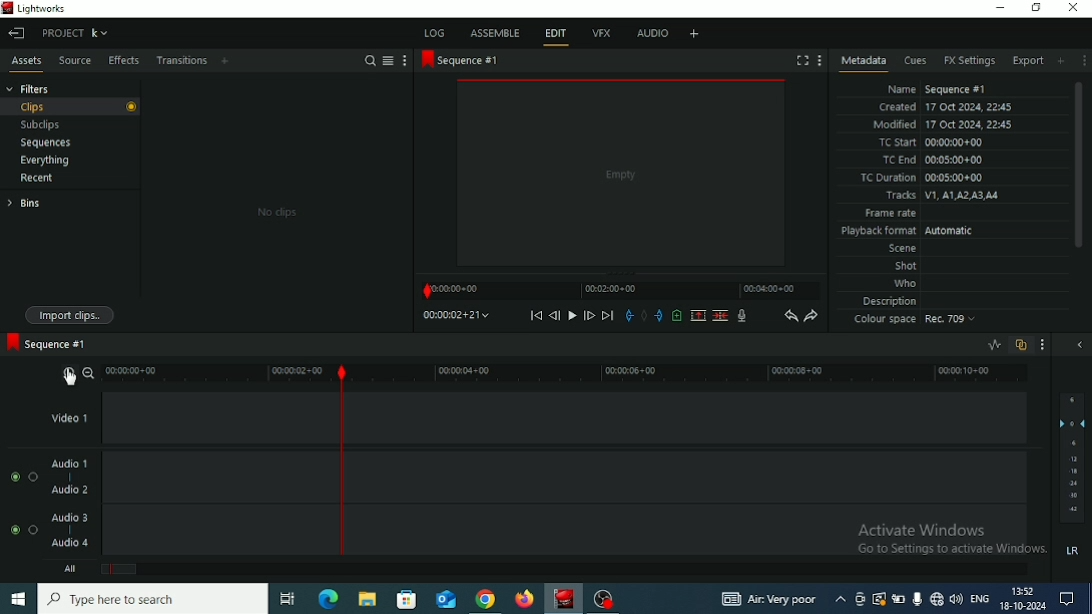  I want to click on Who, so click(906, 284).